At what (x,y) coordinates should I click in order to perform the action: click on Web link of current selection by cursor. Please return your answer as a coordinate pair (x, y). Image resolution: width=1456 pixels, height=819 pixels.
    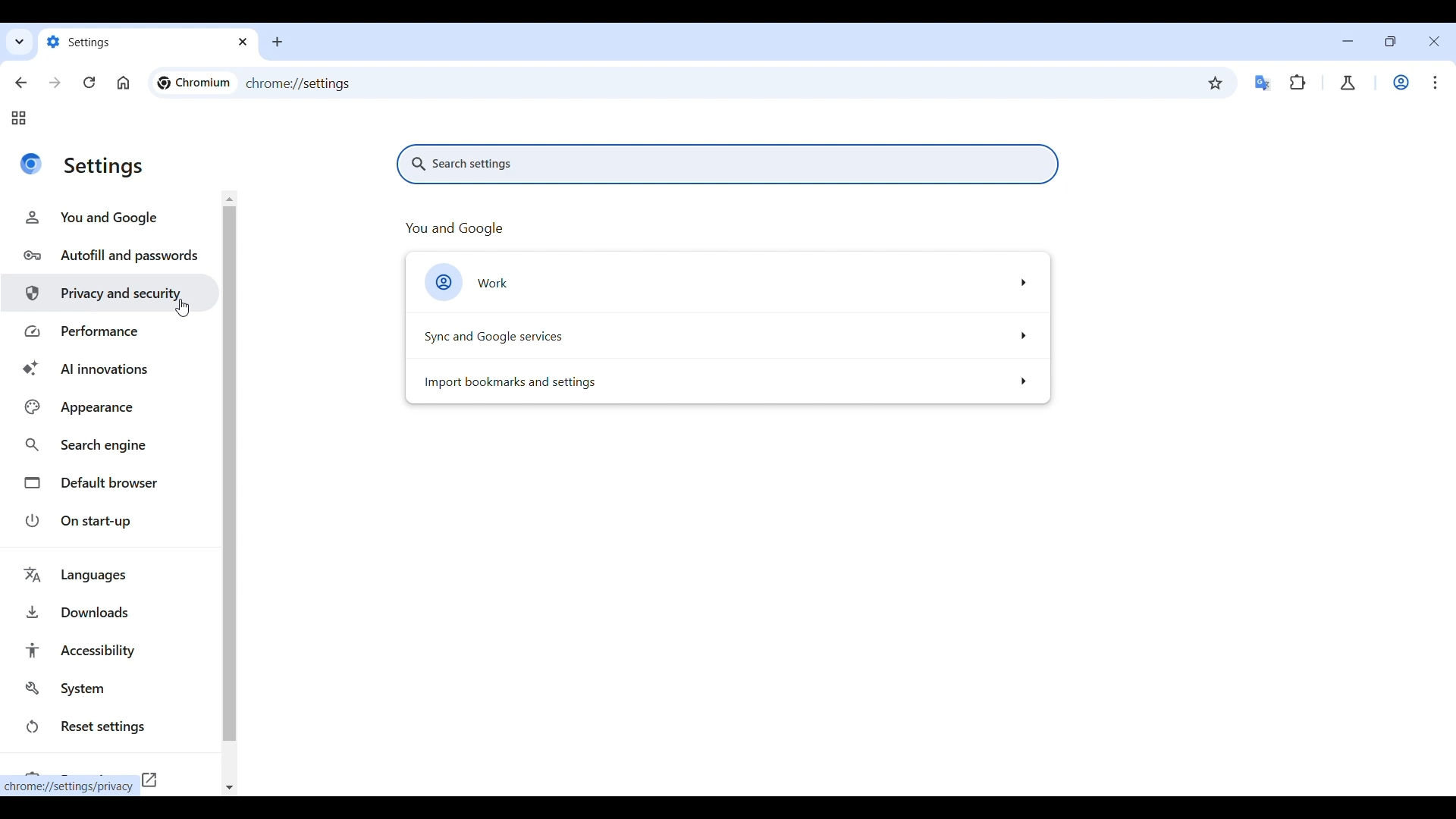
    Looking at the image, I should click on (69, 787).